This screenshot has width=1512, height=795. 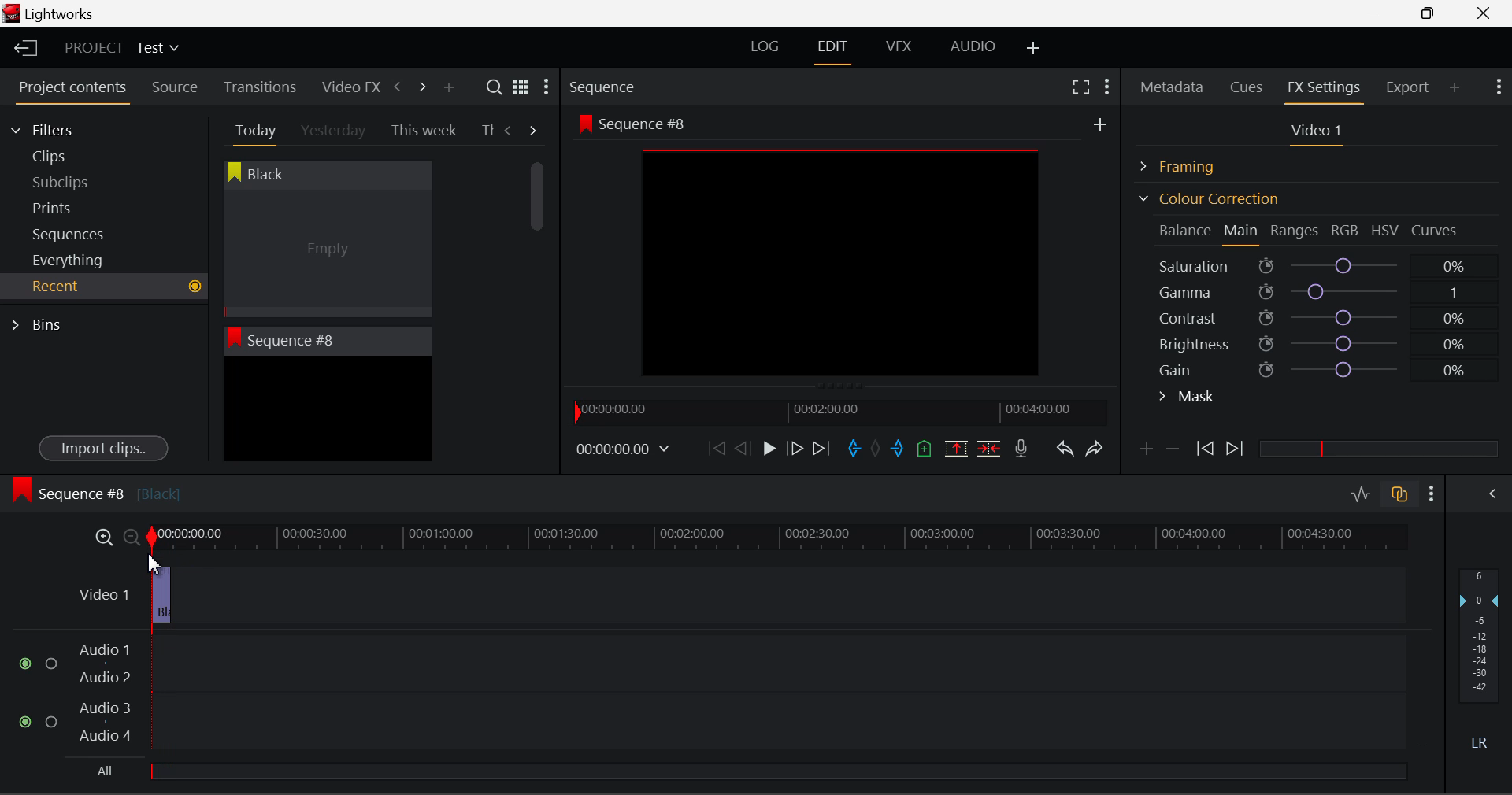 I want to click on Toggle list and title view, so click(x=521, y=87).